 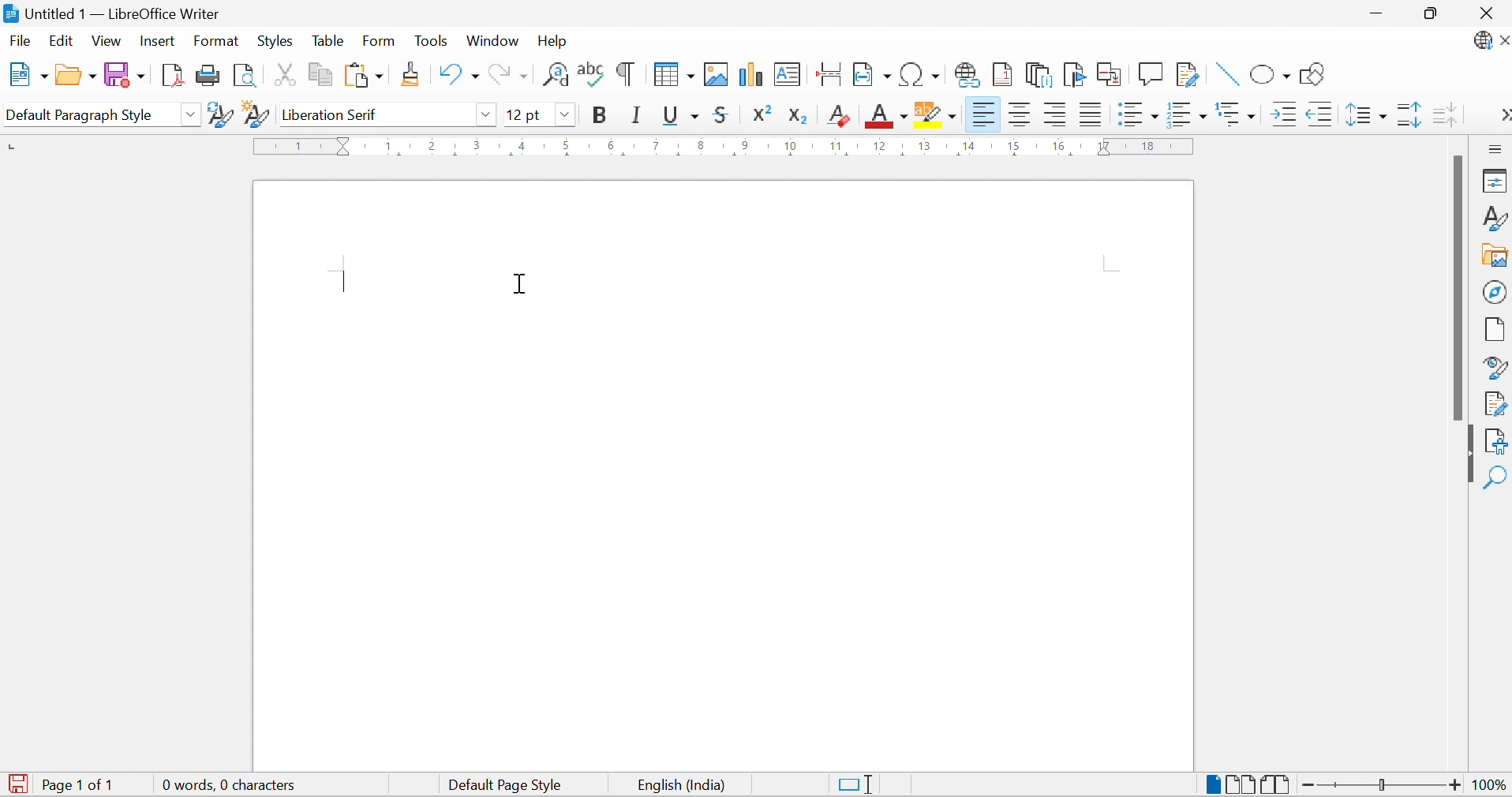 I want to click on New, so click(x=25, y=73).